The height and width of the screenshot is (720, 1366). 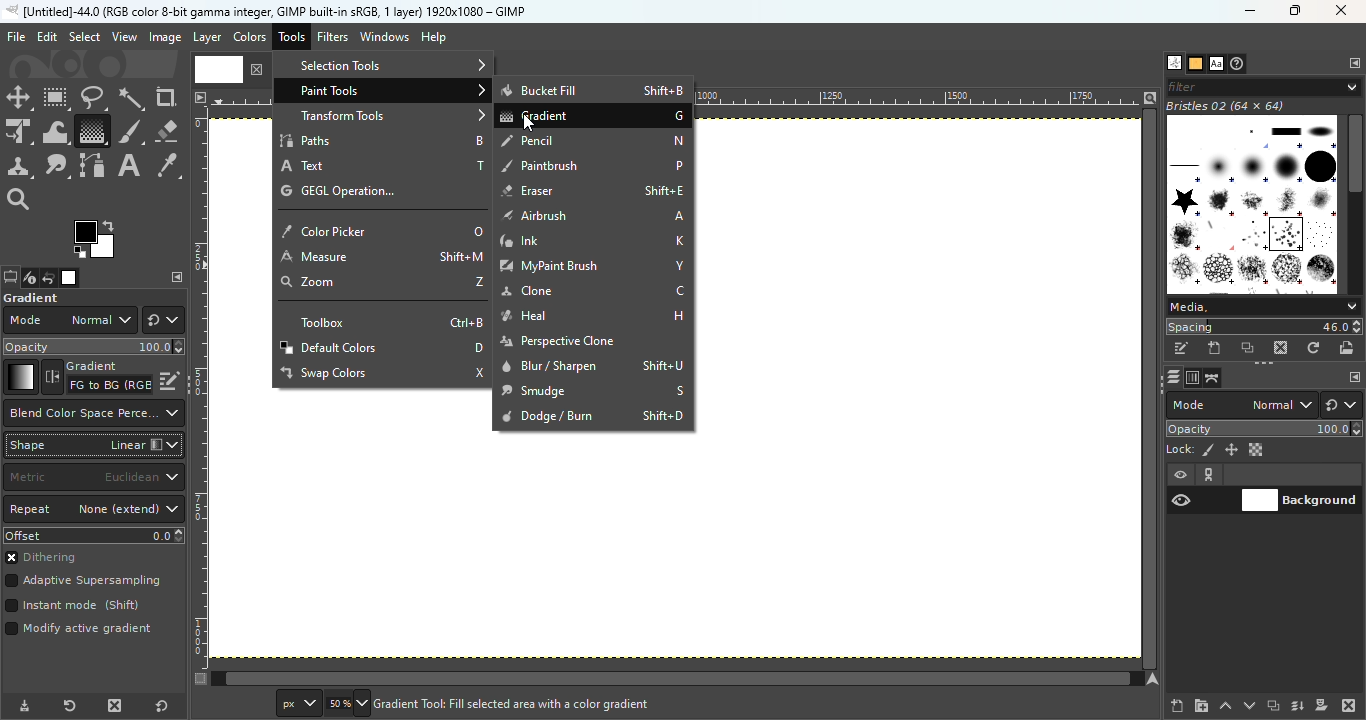 What do you see at coordinates (91, 131) in the screenshot?
I see `Gradient tool` at bounding box center [91, 131].